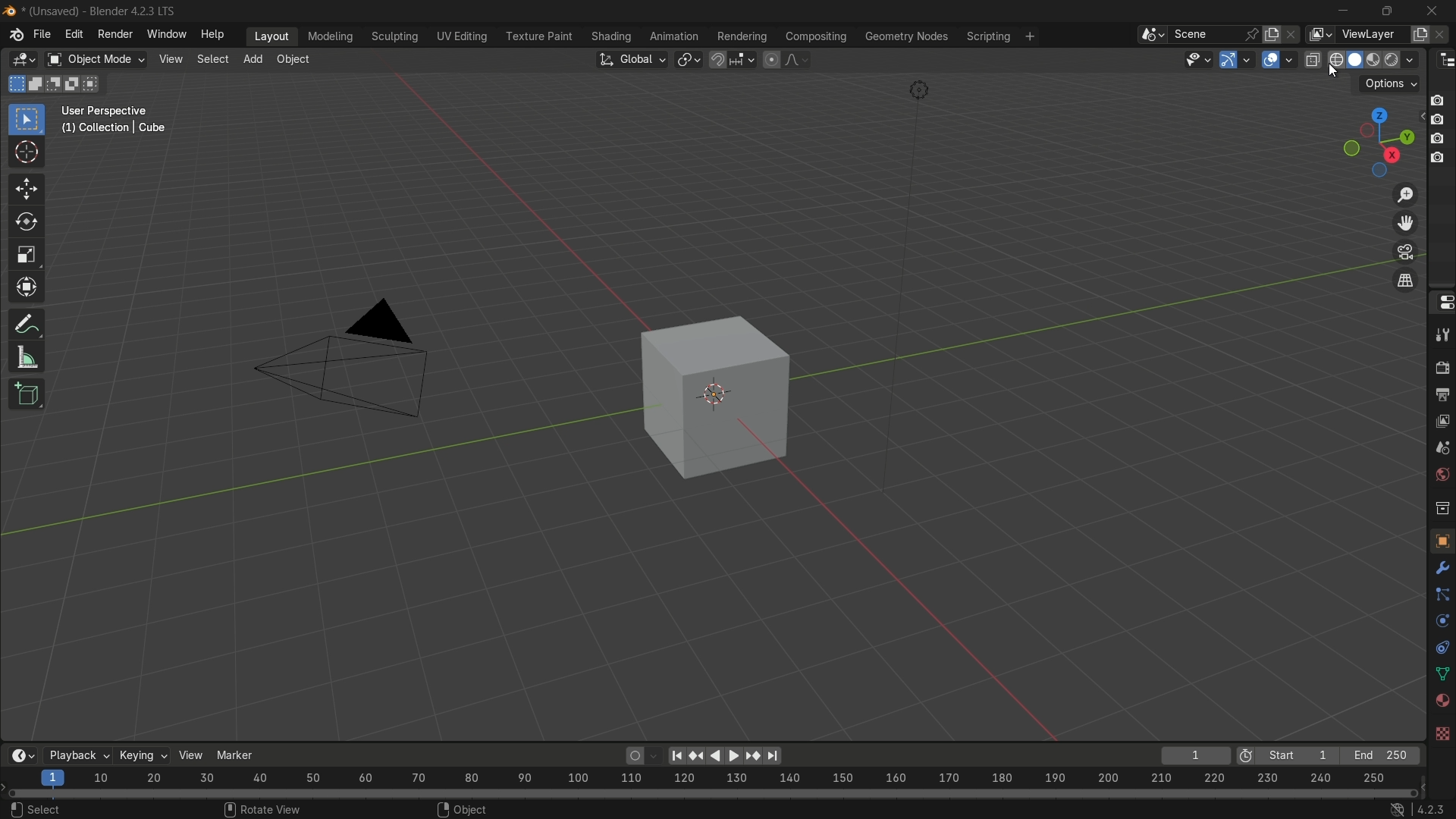 Image resolution: width=1456 pixels, height=819 pixels. I want to click on add tab, so click(253, 58).